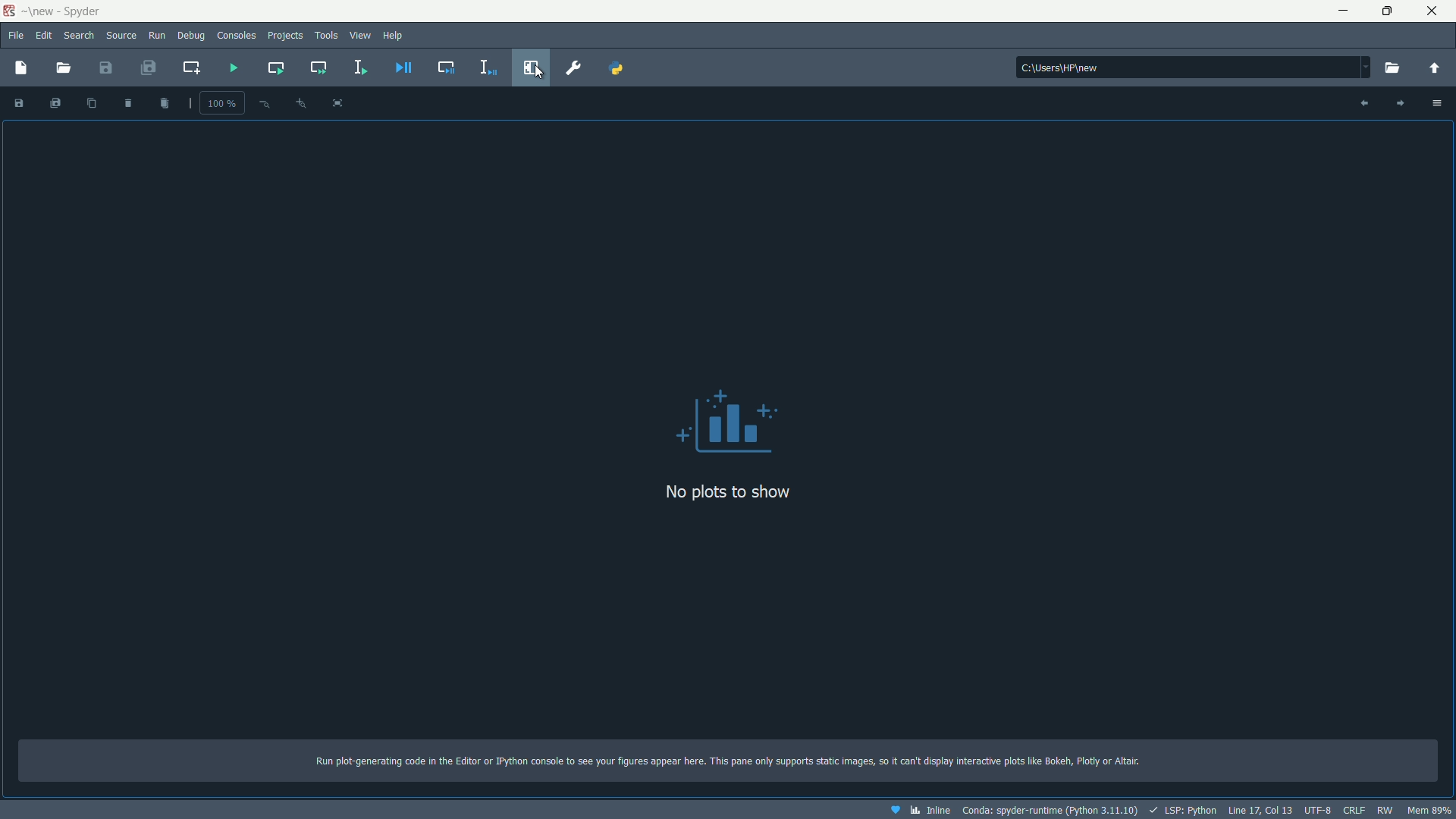 The image size is (1456, 819). I want to click on preferences, so click(572, 67).